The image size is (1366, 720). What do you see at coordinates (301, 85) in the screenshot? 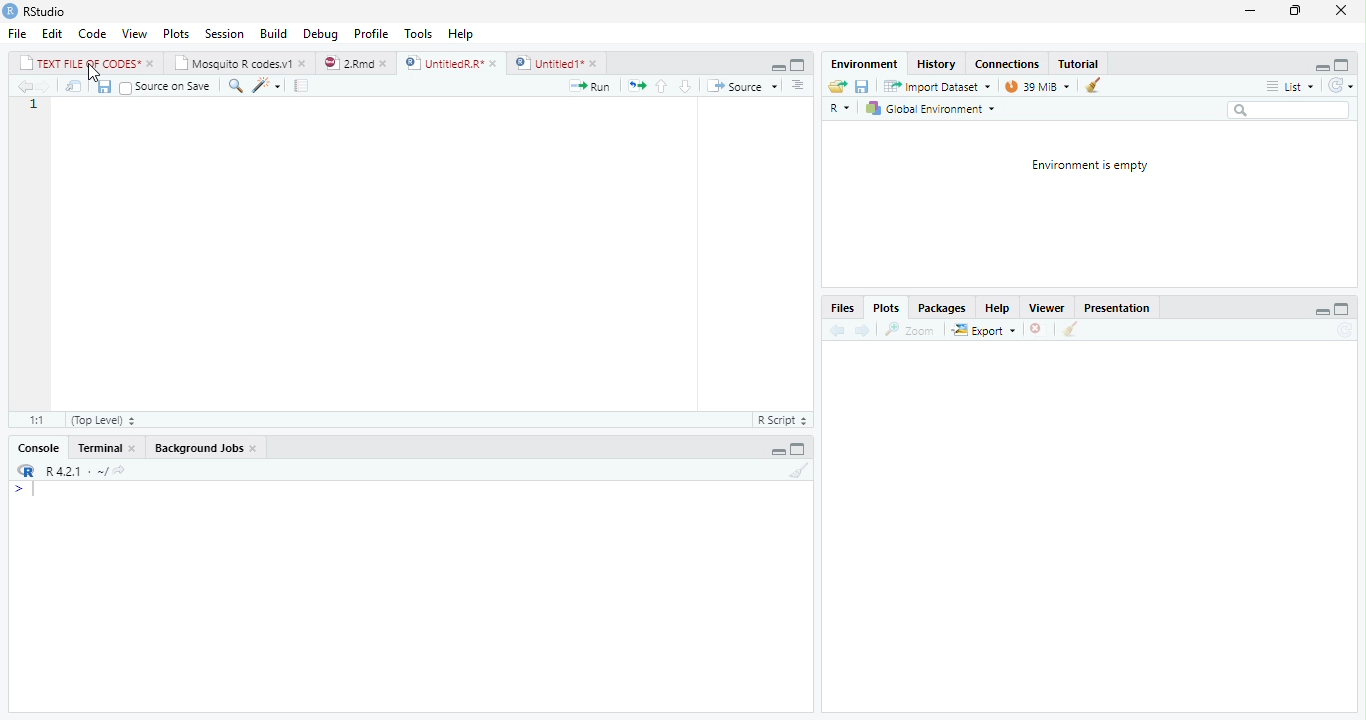
I see `Compile Report` at bounding box center [301, 85].